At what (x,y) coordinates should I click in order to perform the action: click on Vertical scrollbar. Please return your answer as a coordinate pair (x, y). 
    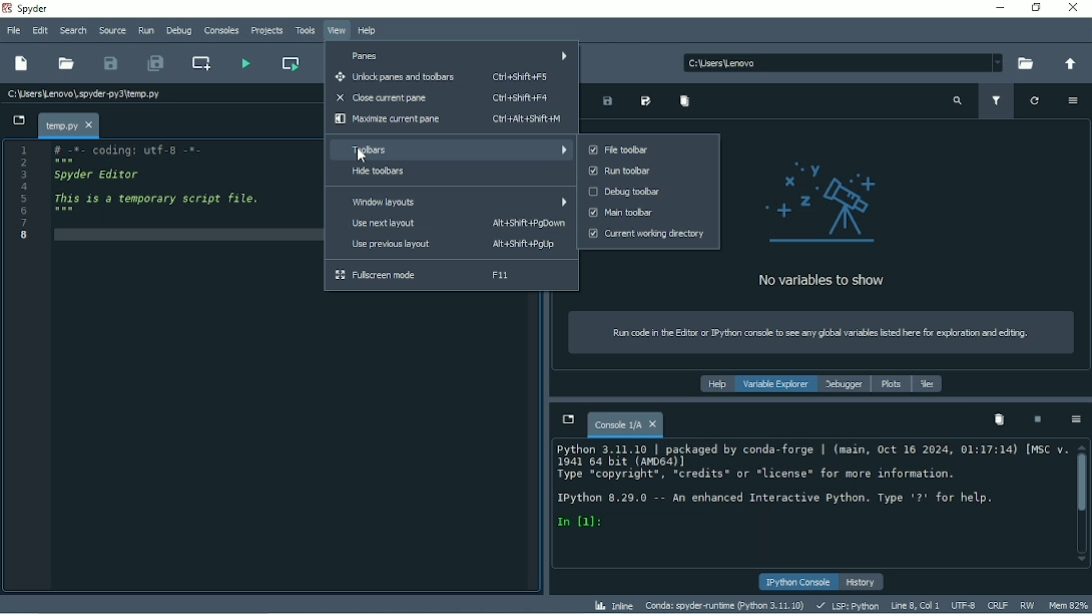
    Looking at the image, I should click on (1082, 483).